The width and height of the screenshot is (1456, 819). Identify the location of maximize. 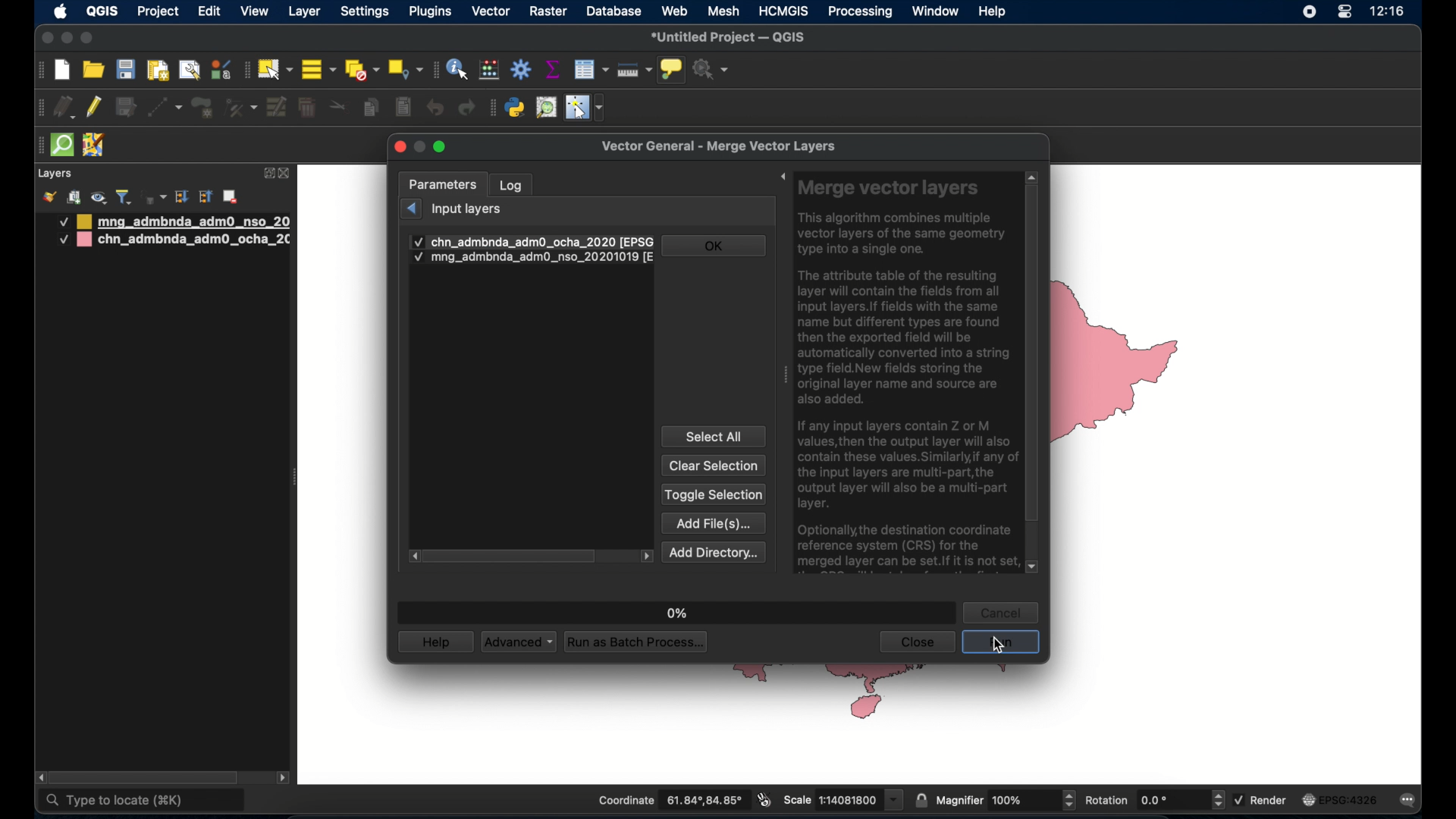
(87, 39).